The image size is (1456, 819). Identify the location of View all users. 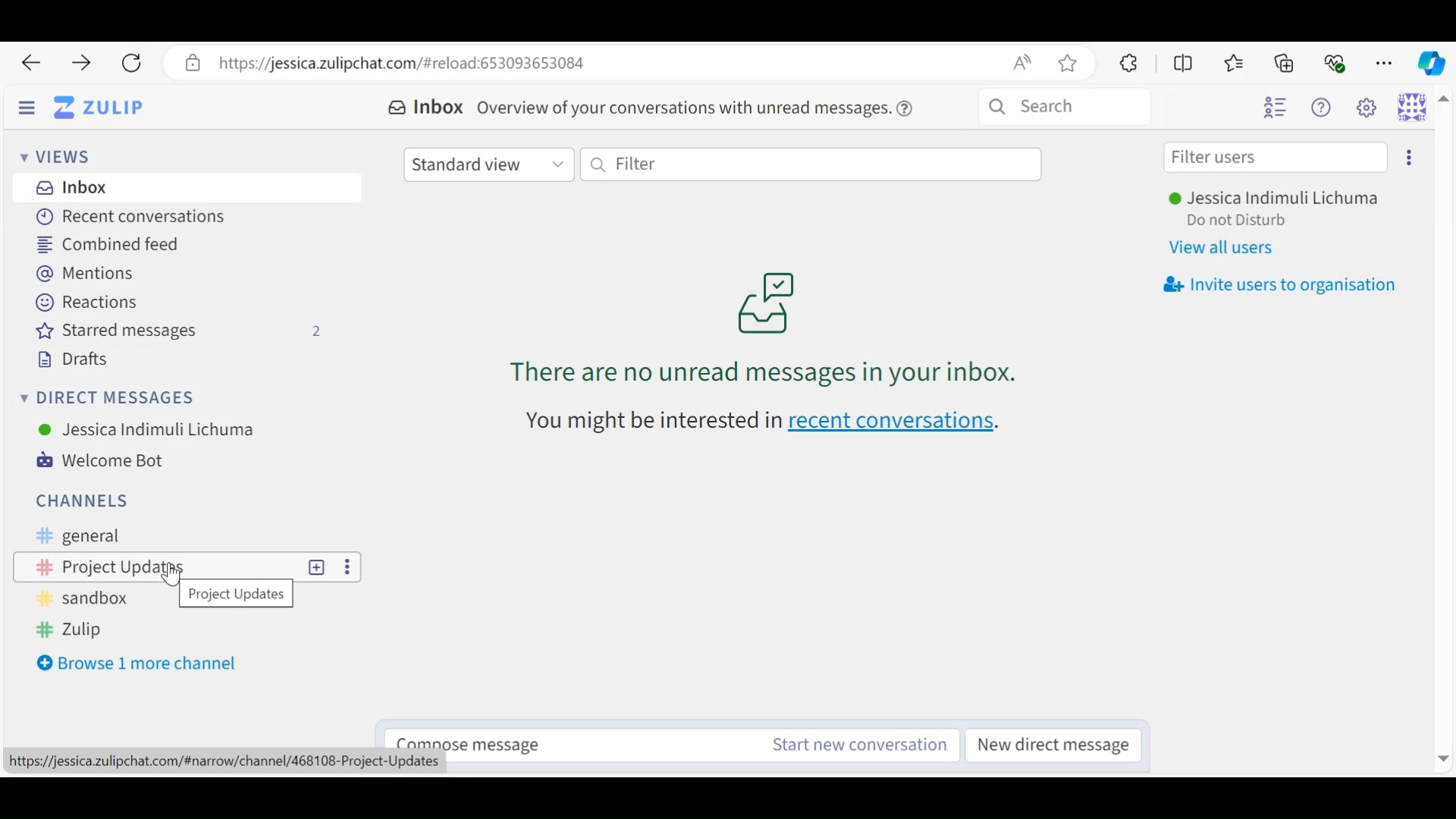
(1231, 249).